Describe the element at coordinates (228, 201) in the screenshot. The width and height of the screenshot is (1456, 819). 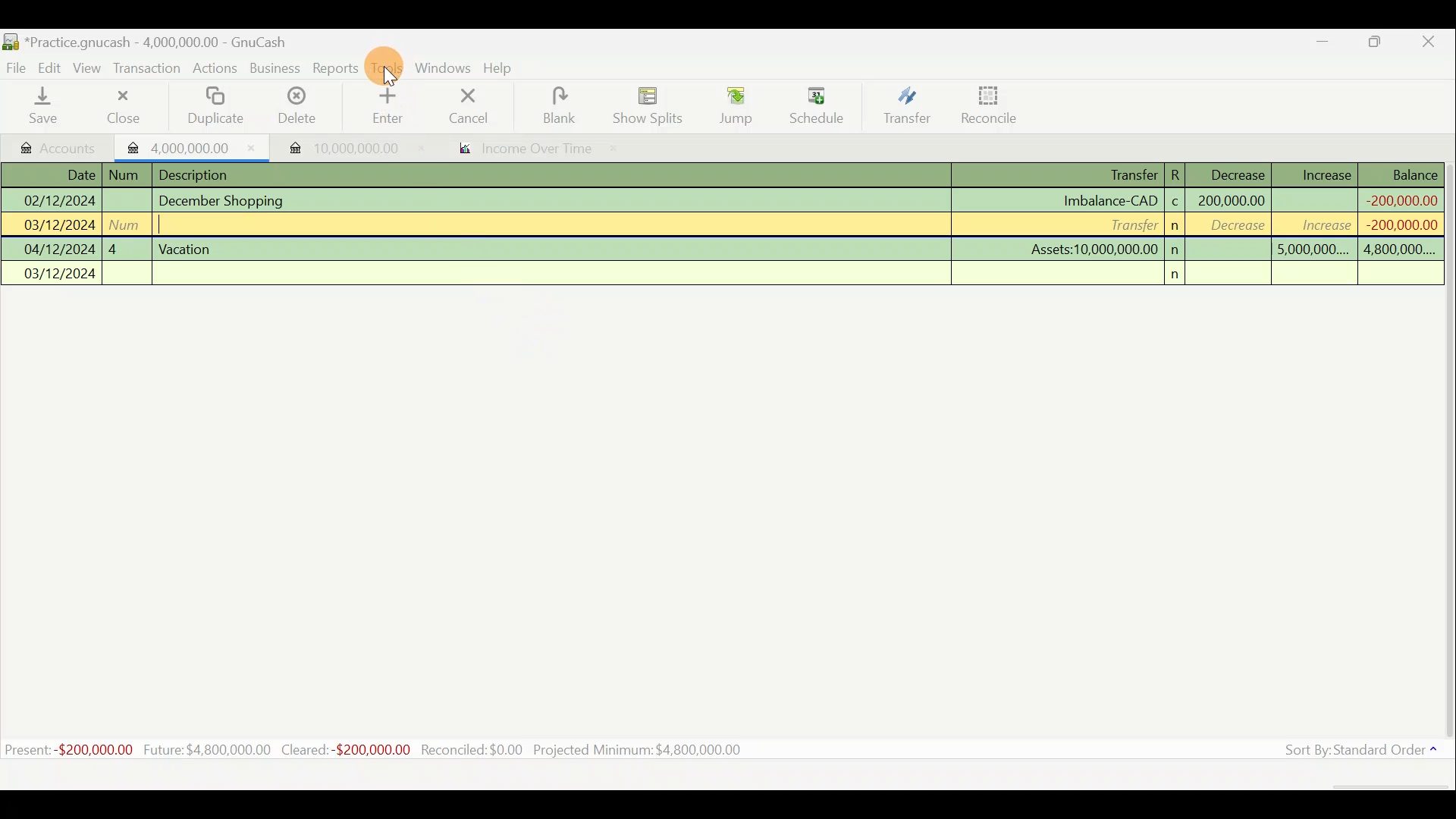
I see `December Shopping` at that location.